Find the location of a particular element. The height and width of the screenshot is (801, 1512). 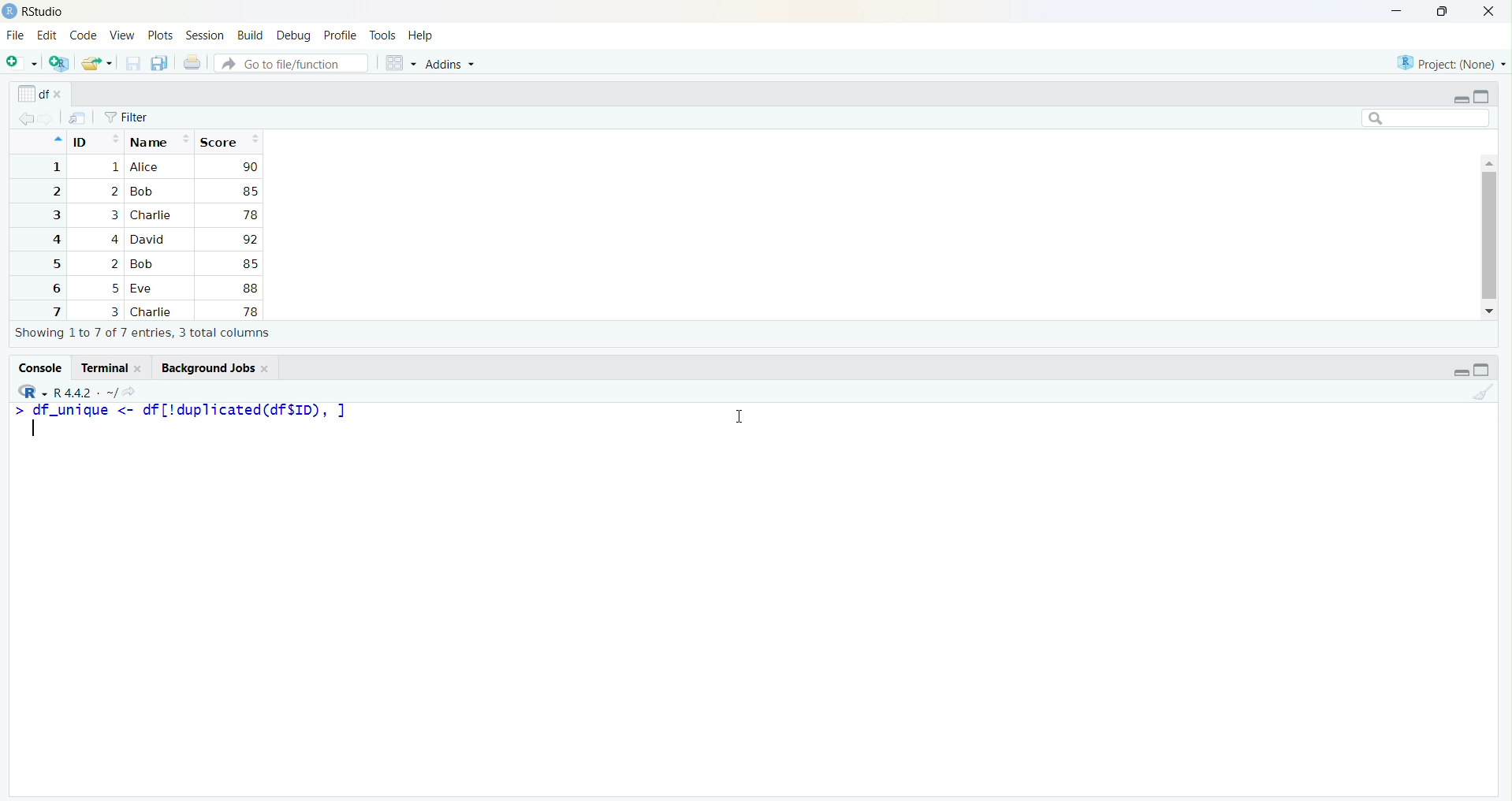

start typing is located at coordinates (17, 411).